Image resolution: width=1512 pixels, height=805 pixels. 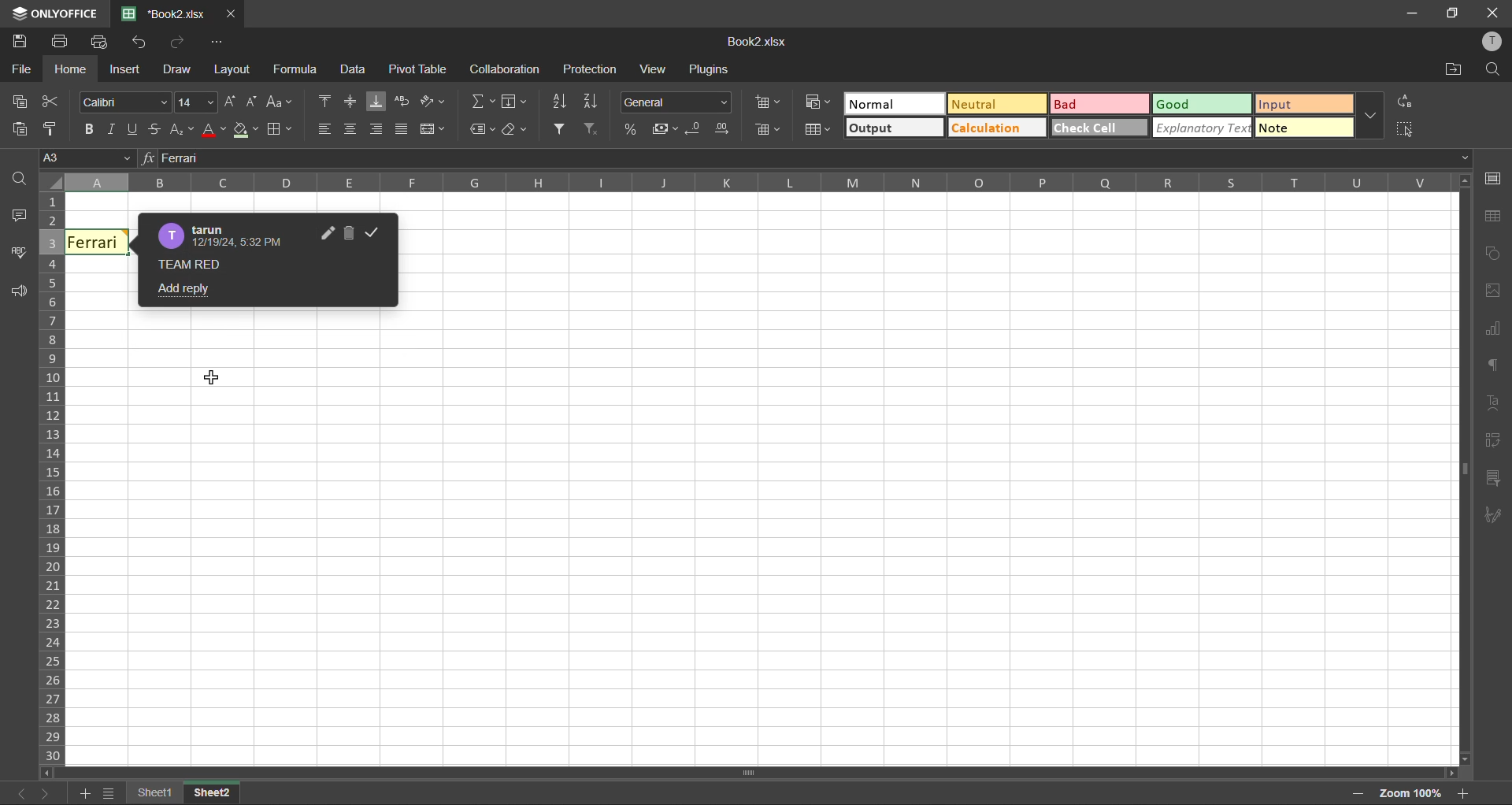 What do you see at coordinates (676, 102) in the screenshot?
I see `number format` at bounding box center [676, 102].